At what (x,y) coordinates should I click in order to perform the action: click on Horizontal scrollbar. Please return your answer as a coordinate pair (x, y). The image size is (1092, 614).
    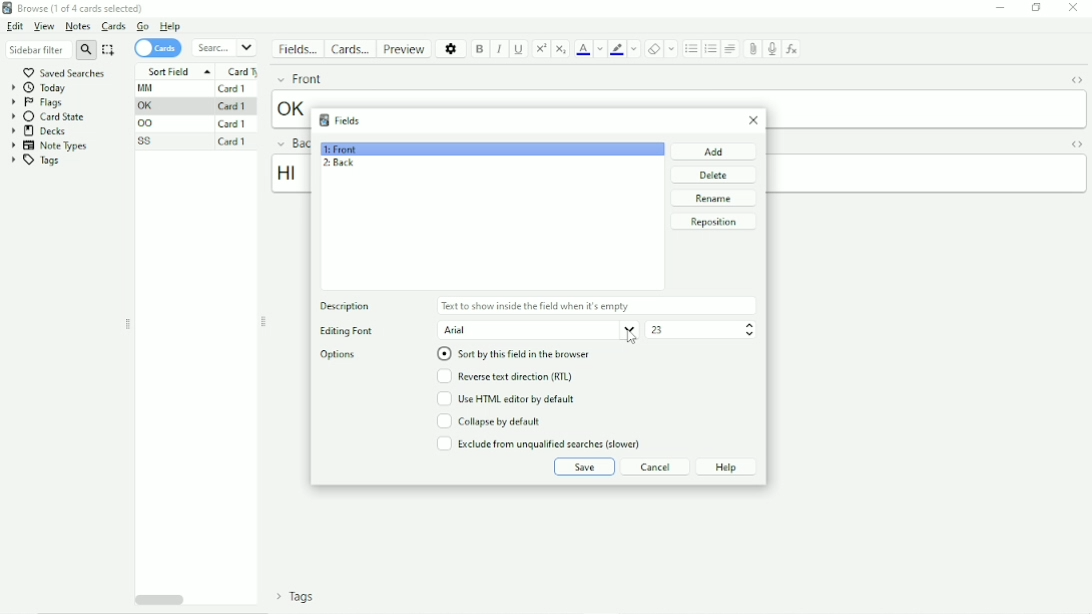
    Looking at the image, I should click on (158, 600).